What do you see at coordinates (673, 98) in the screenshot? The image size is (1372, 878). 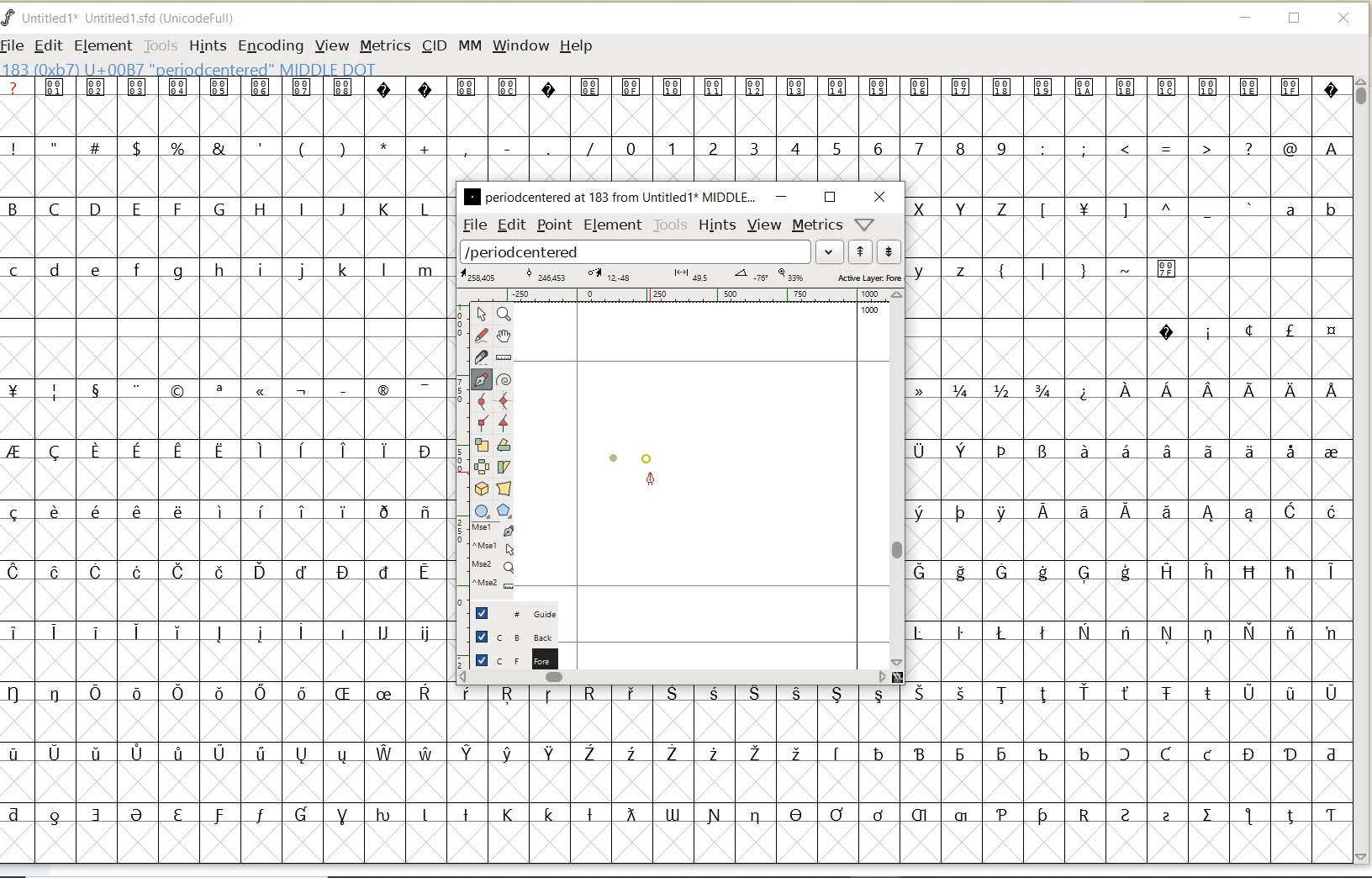 I see `special characters` at bounding box center [673, 98].